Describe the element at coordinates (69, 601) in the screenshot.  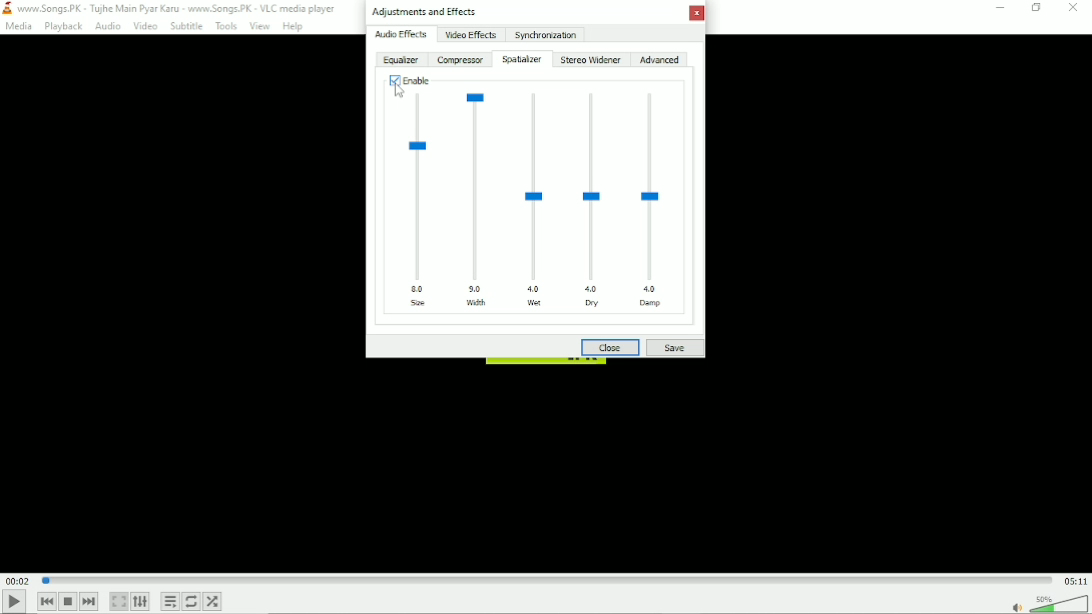
I see `Stop playback` at that location.